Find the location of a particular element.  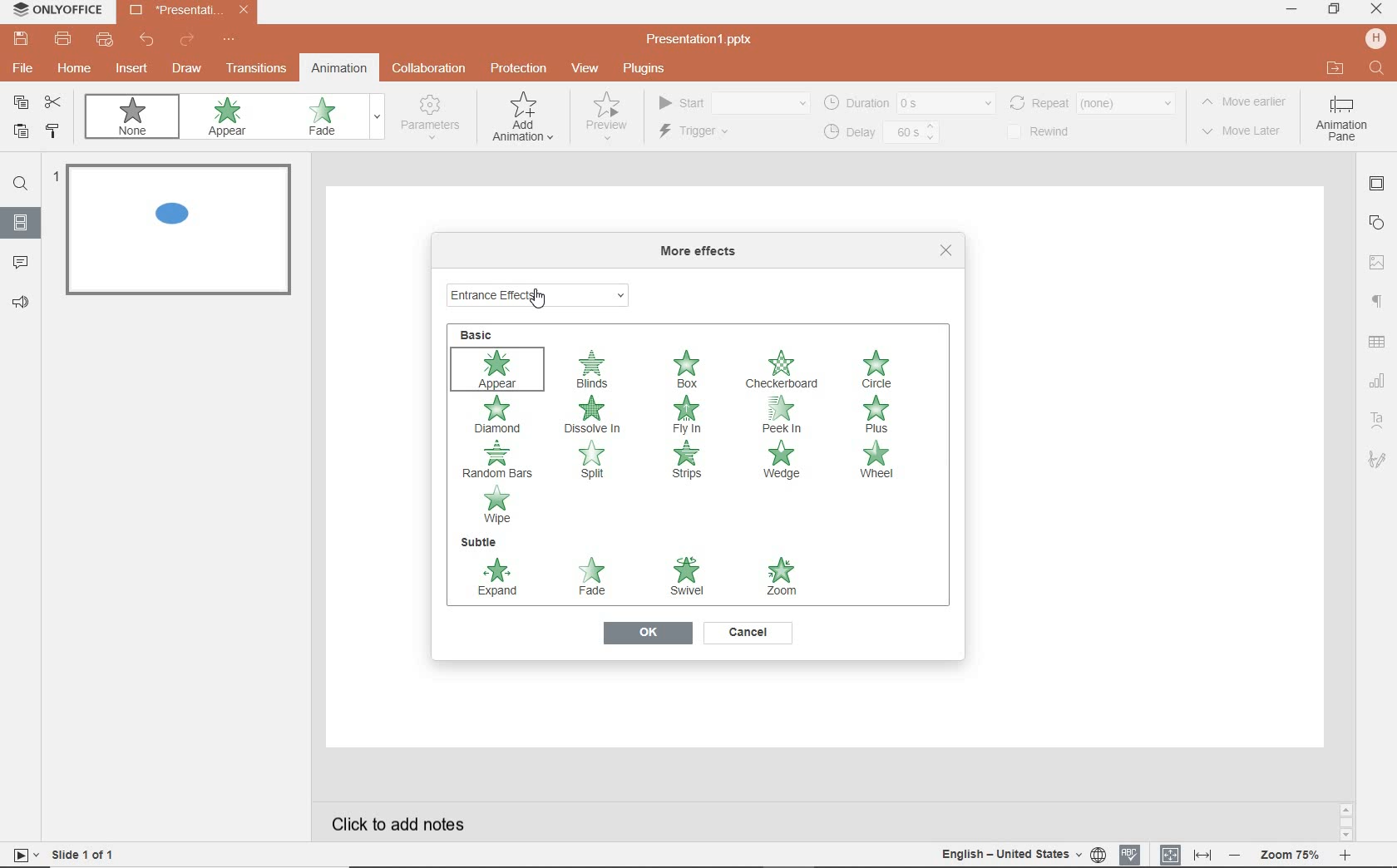

print is located at coordinates (63, 41).